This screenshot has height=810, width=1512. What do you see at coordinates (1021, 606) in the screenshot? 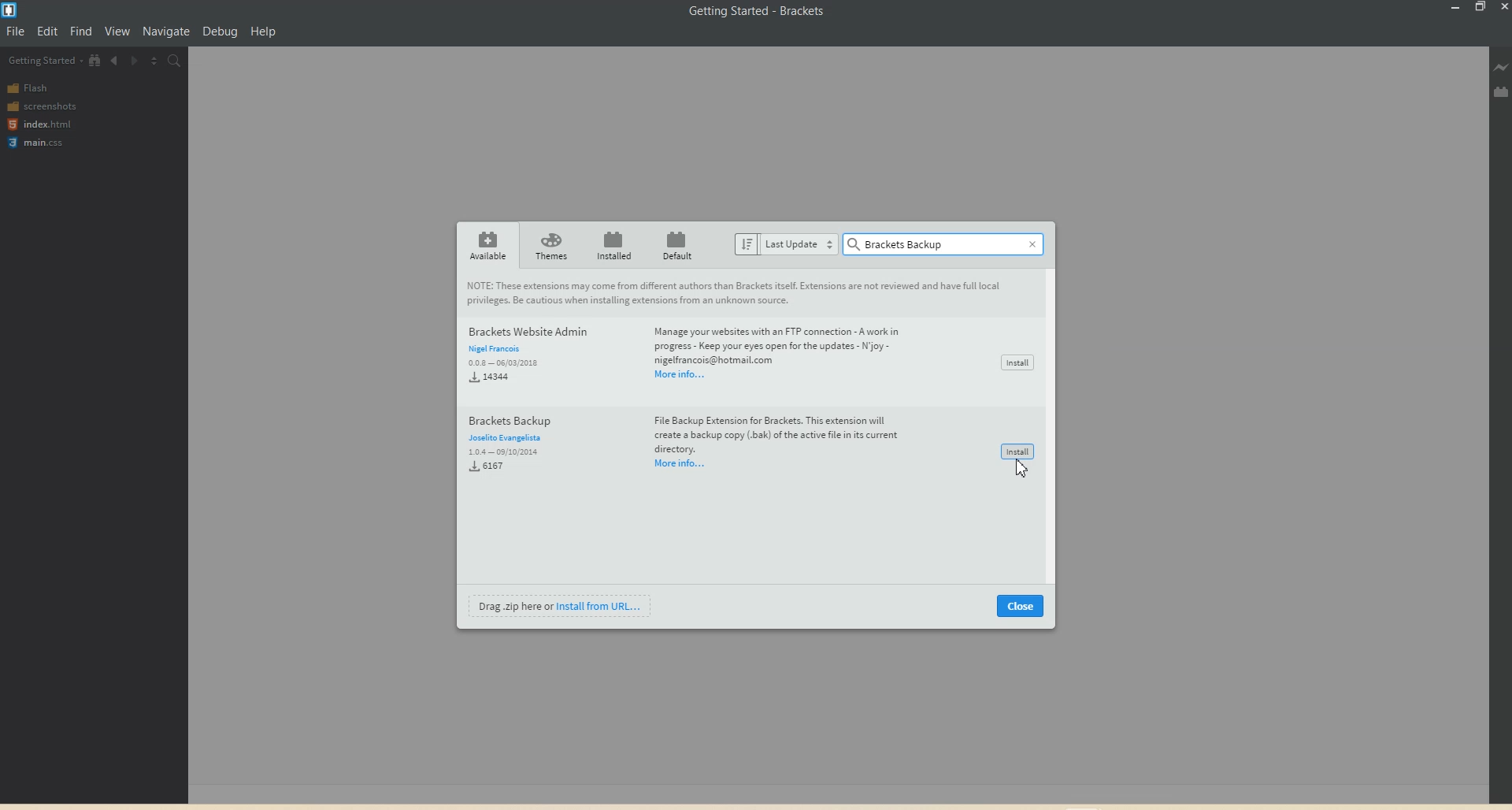
I see `Close` at bounding box center [1021, 606].